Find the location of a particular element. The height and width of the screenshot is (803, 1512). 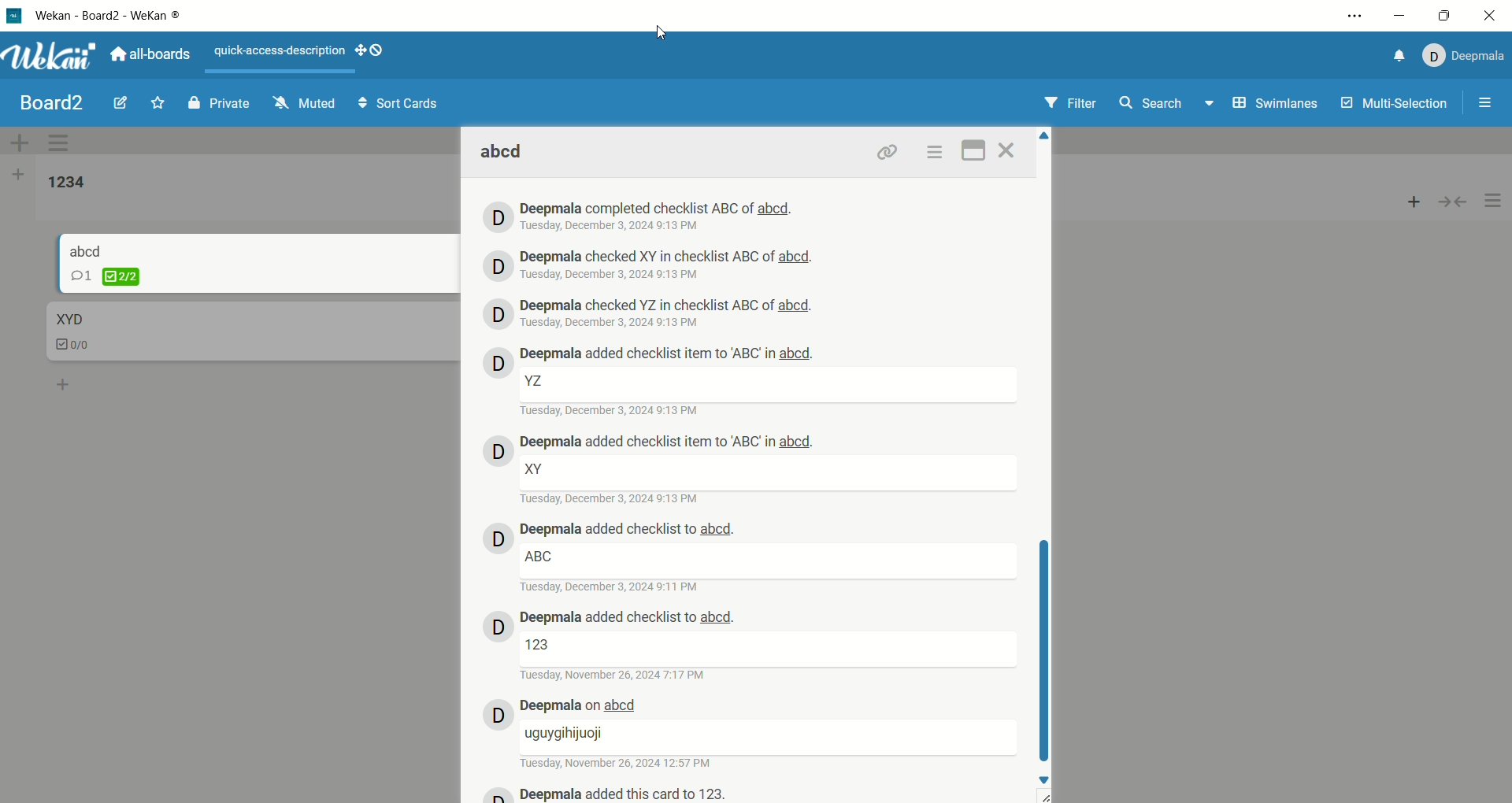

multi-selection is located at coordinates (1396, 104).